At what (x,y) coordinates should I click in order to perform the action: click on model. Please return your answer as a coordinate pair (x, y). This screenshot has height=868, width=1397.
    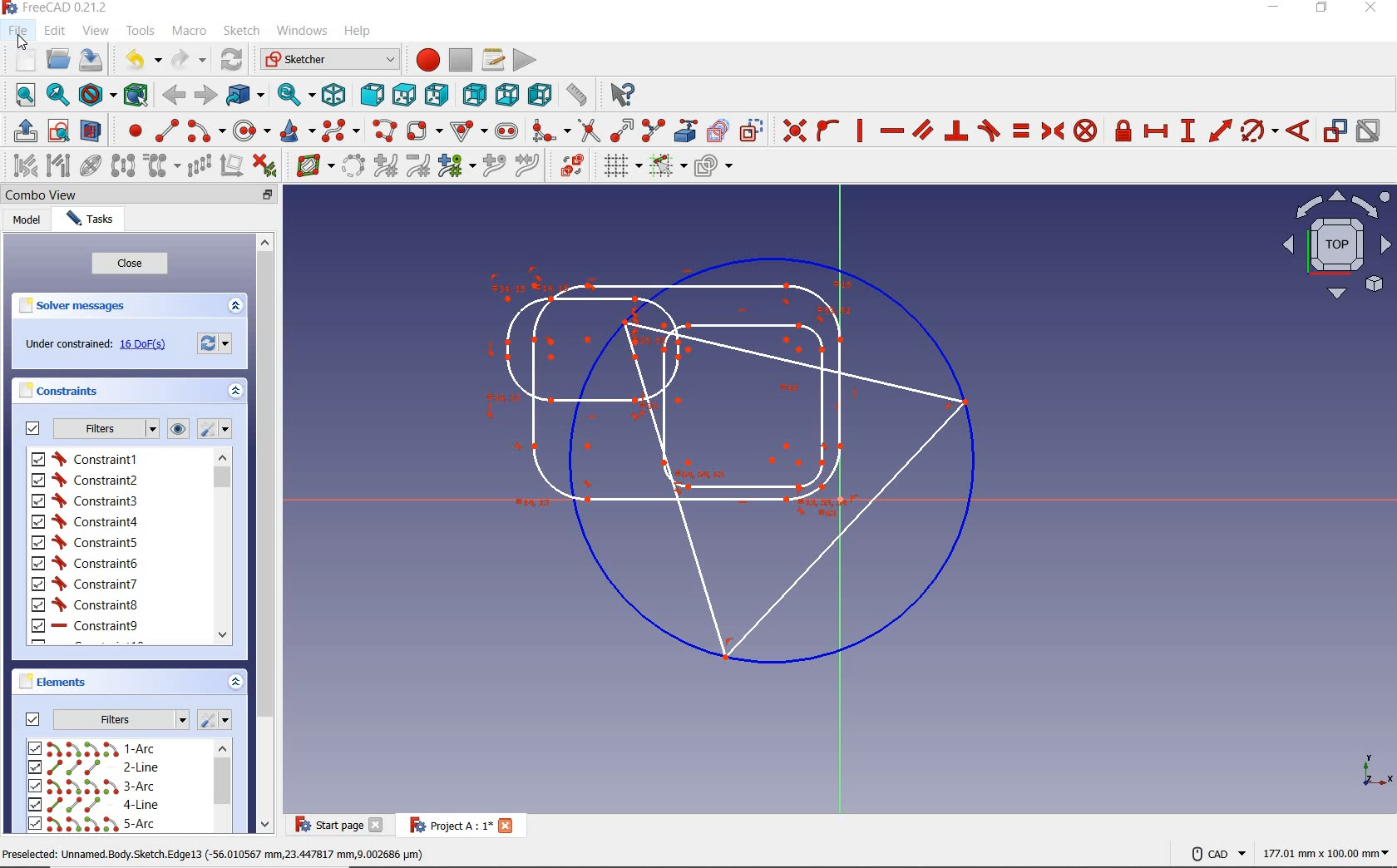
    Looking at the image, I should click on (28, 223).